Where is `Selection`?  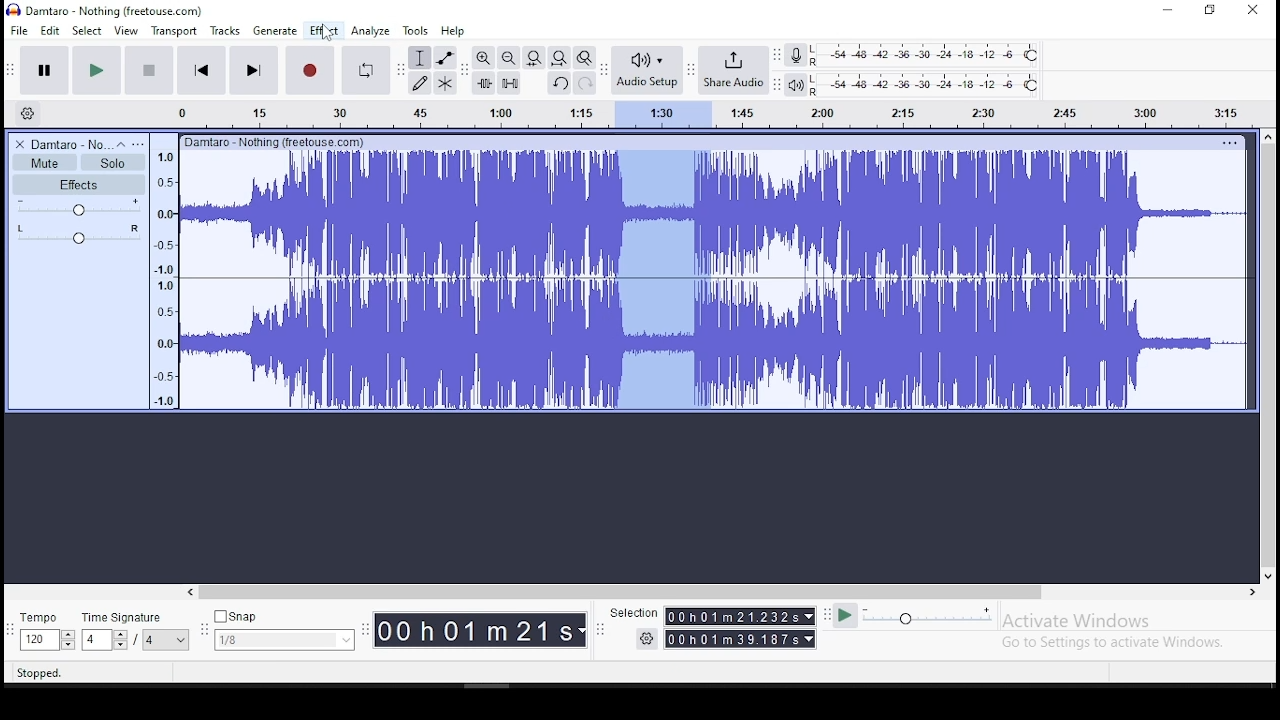
Selection is located at coordinates (632, 613).